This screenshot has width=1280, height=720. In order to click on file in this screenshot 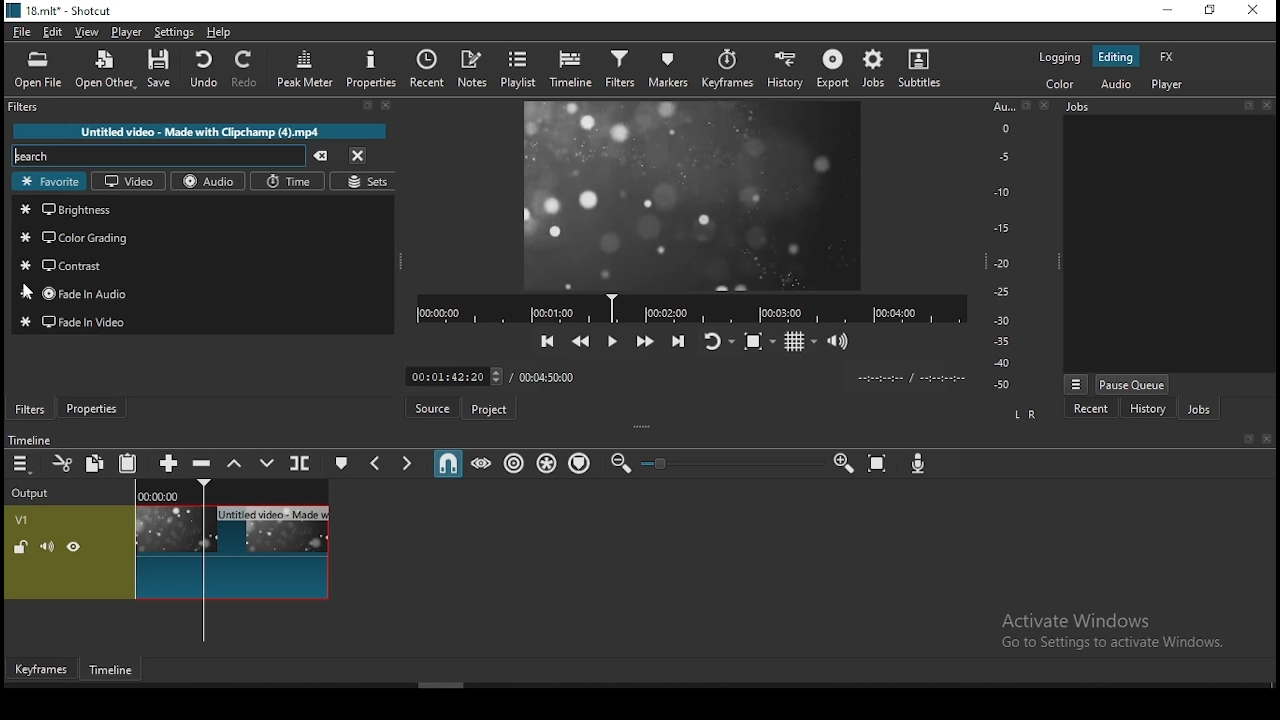, I will do `click(22, 33)`.